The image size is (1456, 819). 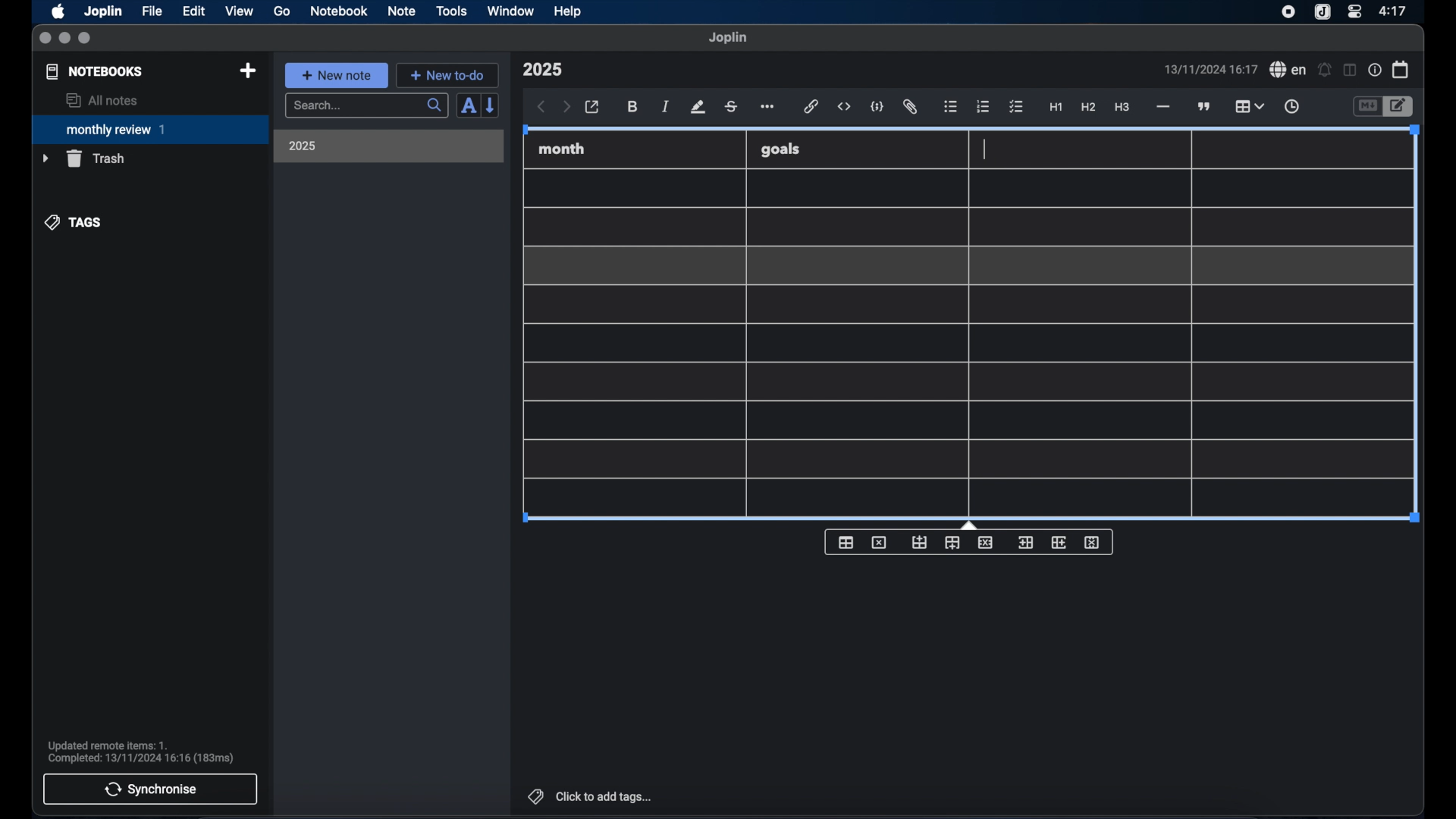 I want to click on block quotes, so click(x=1205, y=107).